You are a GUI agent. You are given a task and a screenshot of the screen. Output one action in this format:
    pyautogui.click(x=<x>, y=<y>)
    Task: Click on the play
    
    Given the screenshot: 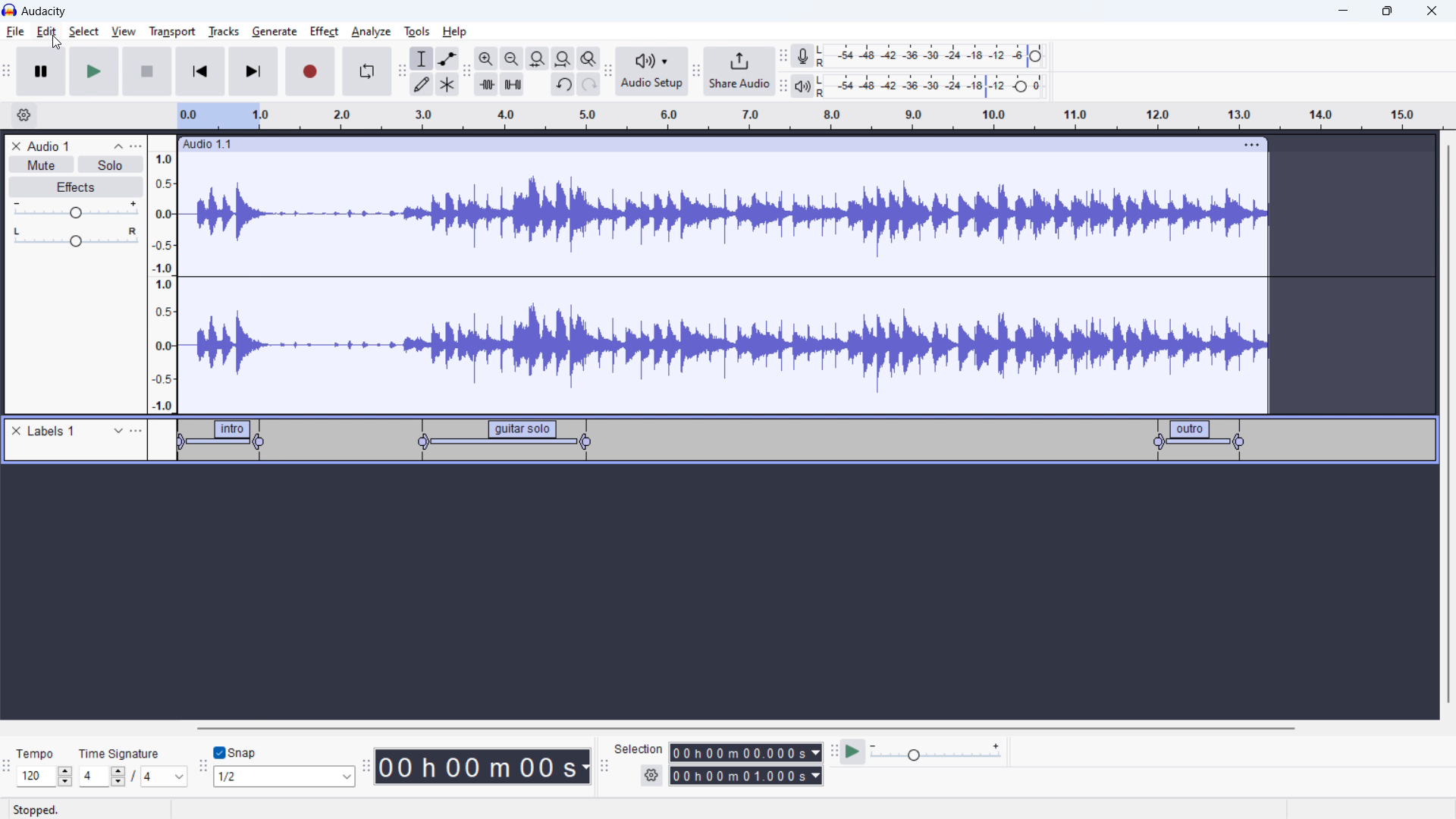 What is the action you would take?
    pyautogui.click(x=93, y=71)
    